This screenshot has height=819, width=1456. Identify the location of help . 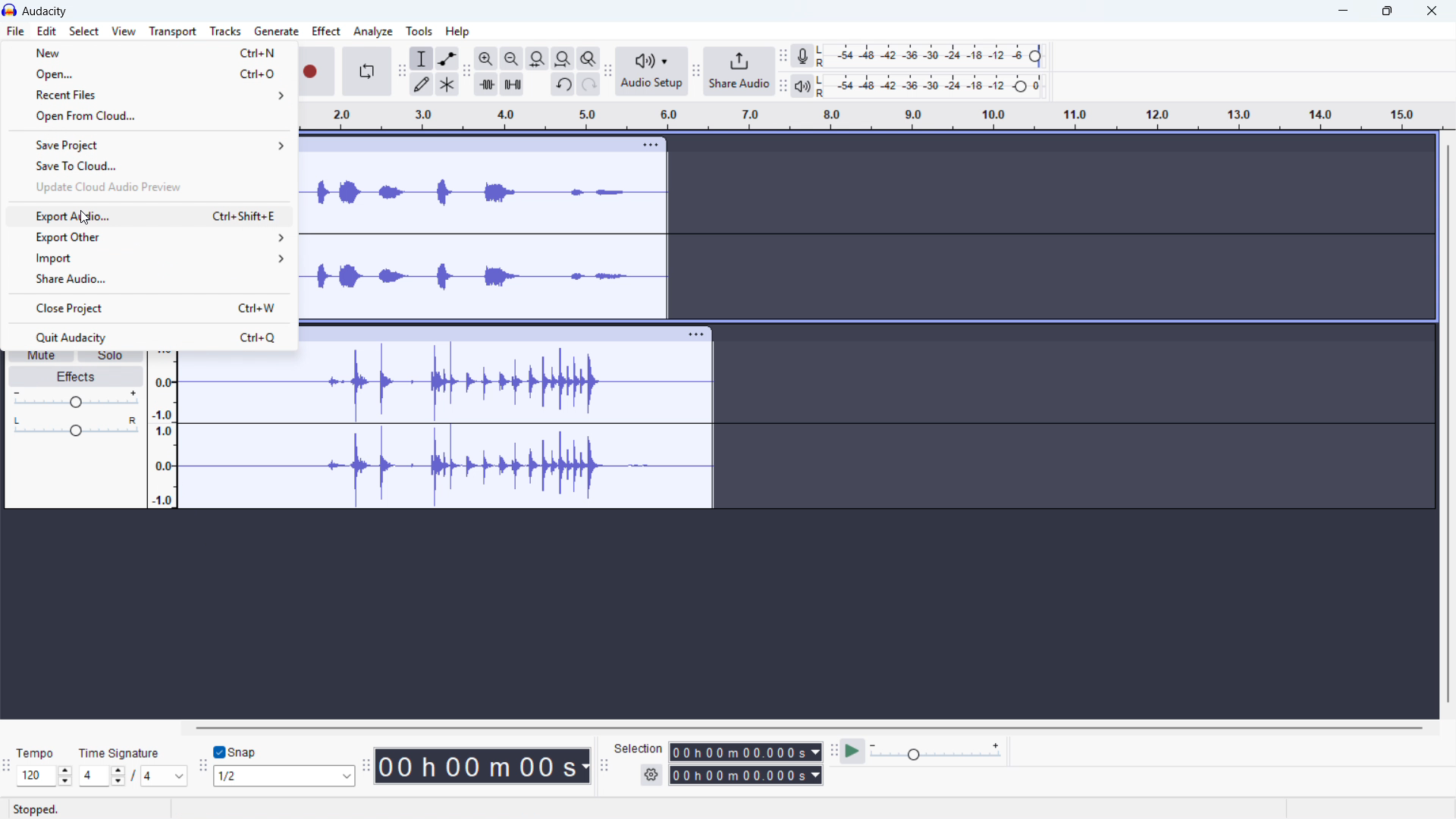
(458, 31).